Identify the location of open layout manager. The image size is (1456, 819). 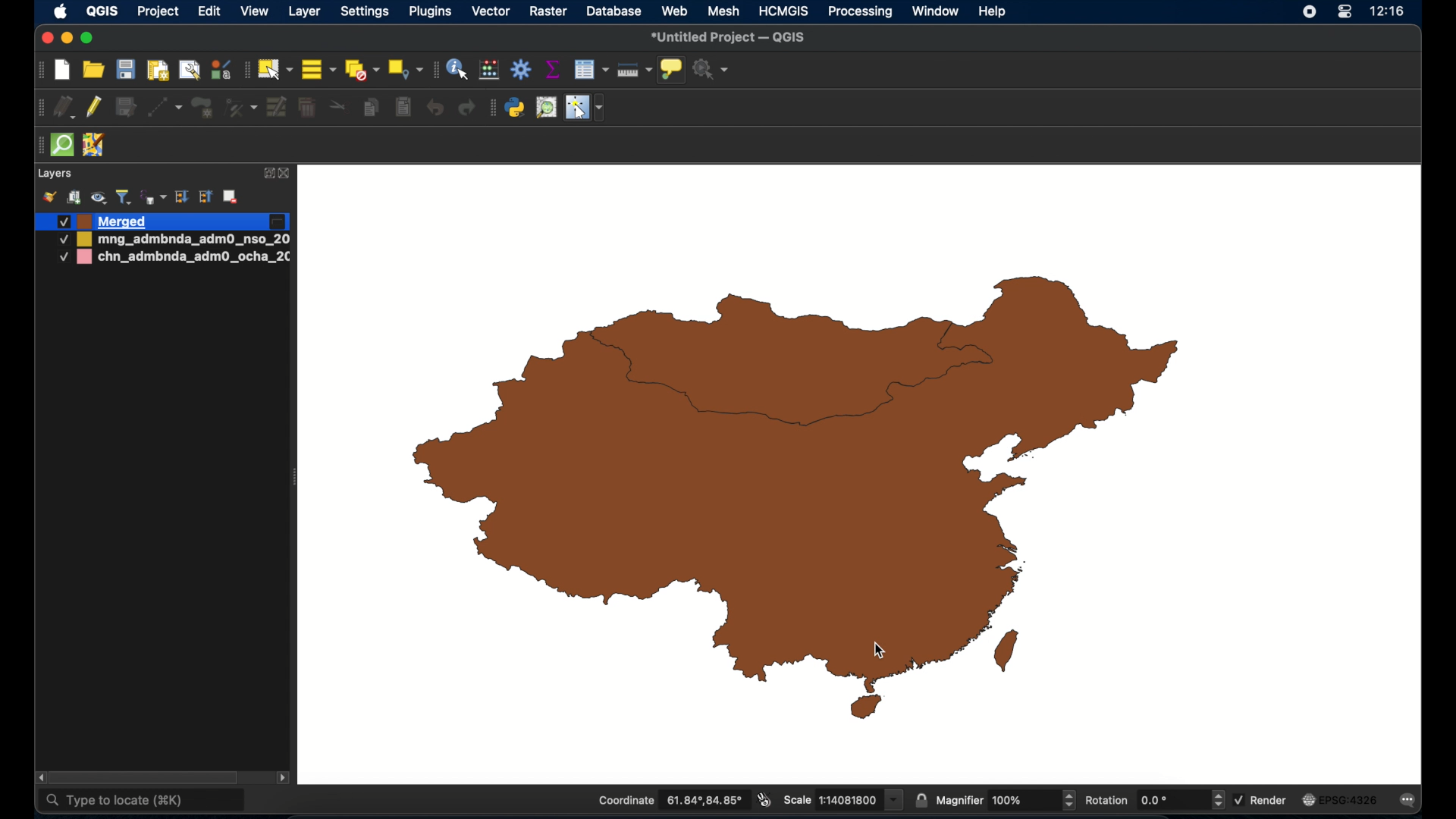
(189, 70).